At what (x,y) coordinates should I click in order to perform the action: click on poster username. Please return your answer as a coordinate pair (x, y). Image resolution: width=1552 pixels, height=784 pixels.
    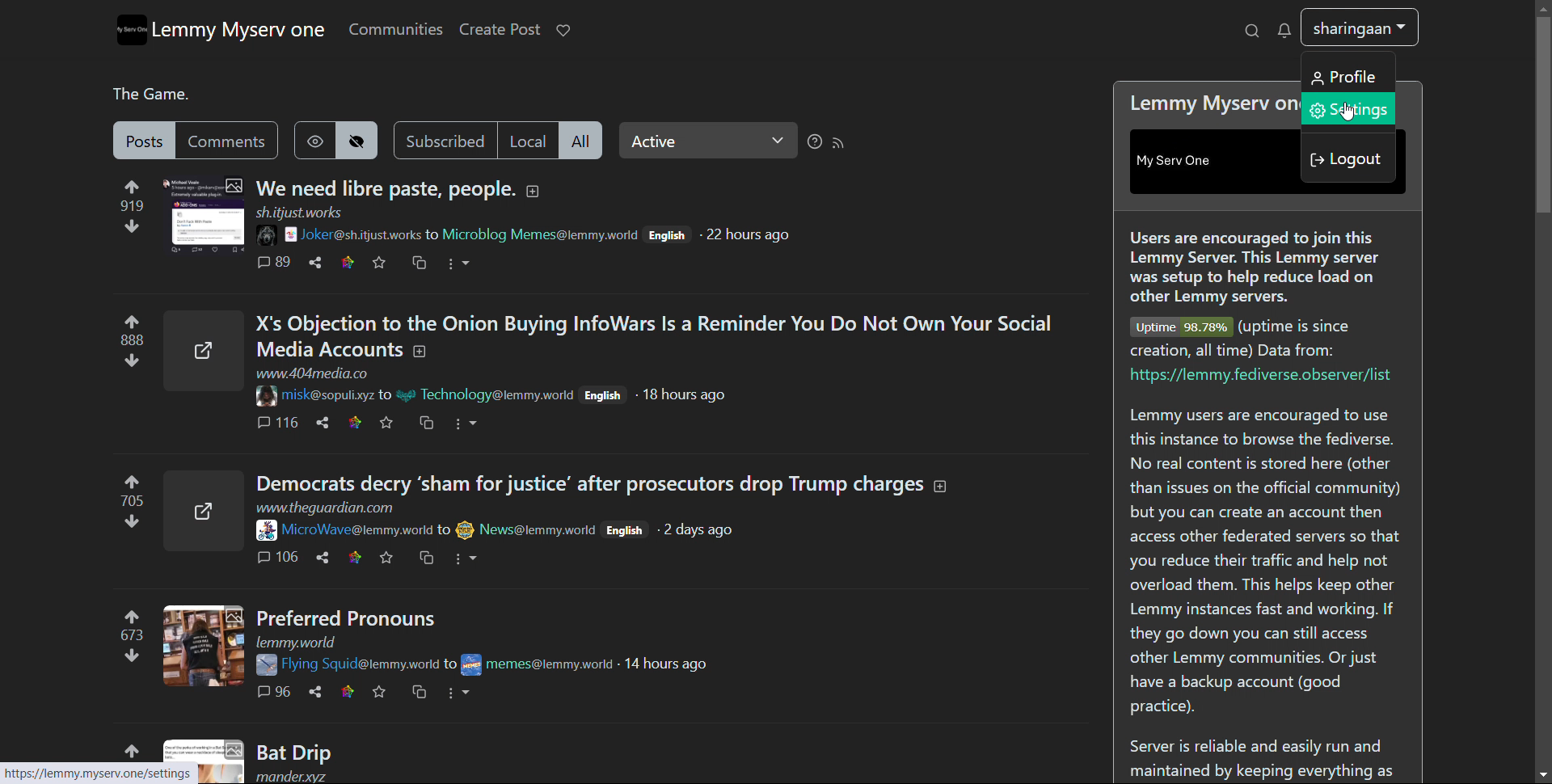
    Looking at the image, I should click on (538, 529).